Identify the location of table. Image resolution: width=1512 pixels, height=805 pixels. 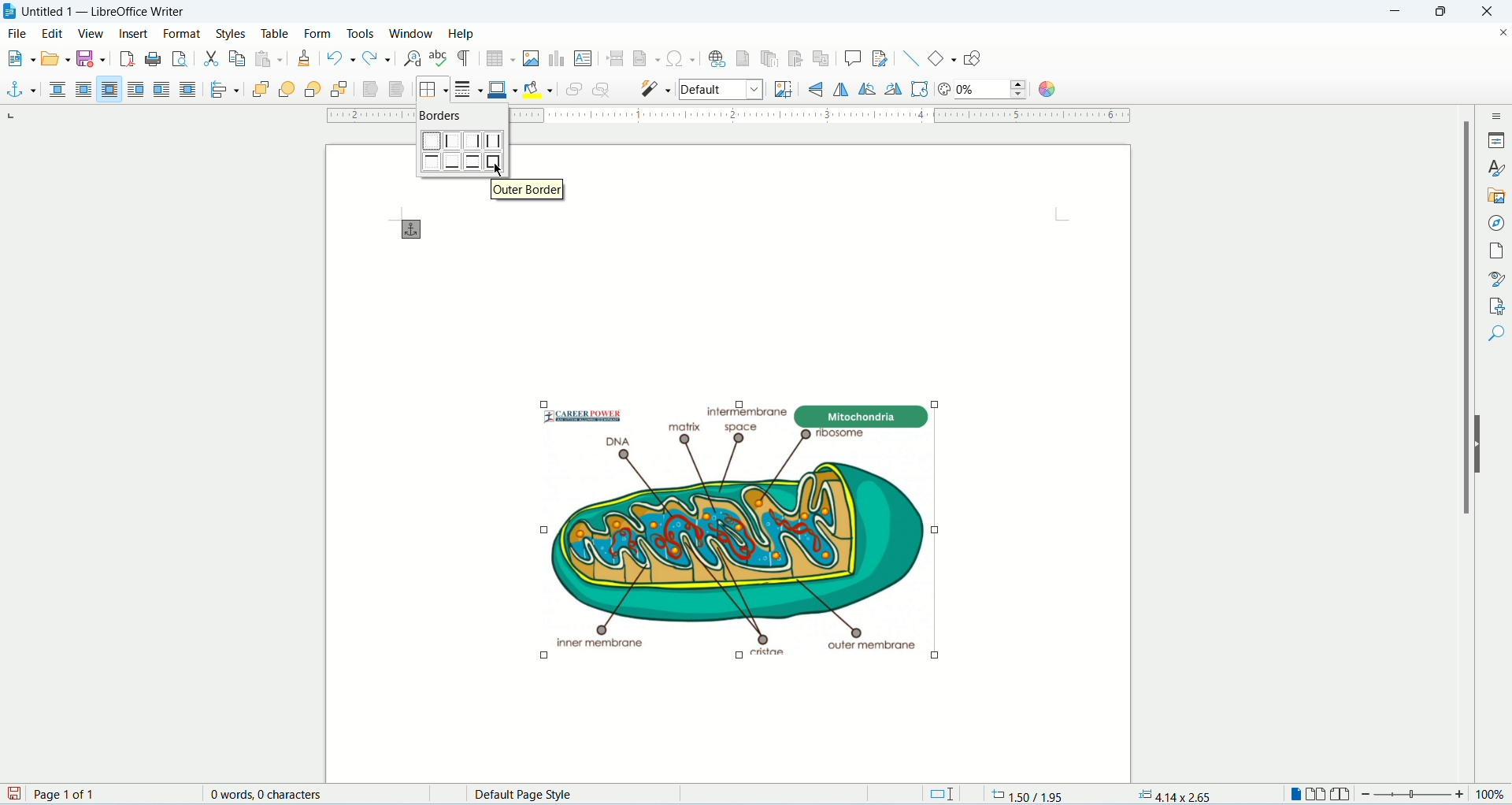
(276, 34).